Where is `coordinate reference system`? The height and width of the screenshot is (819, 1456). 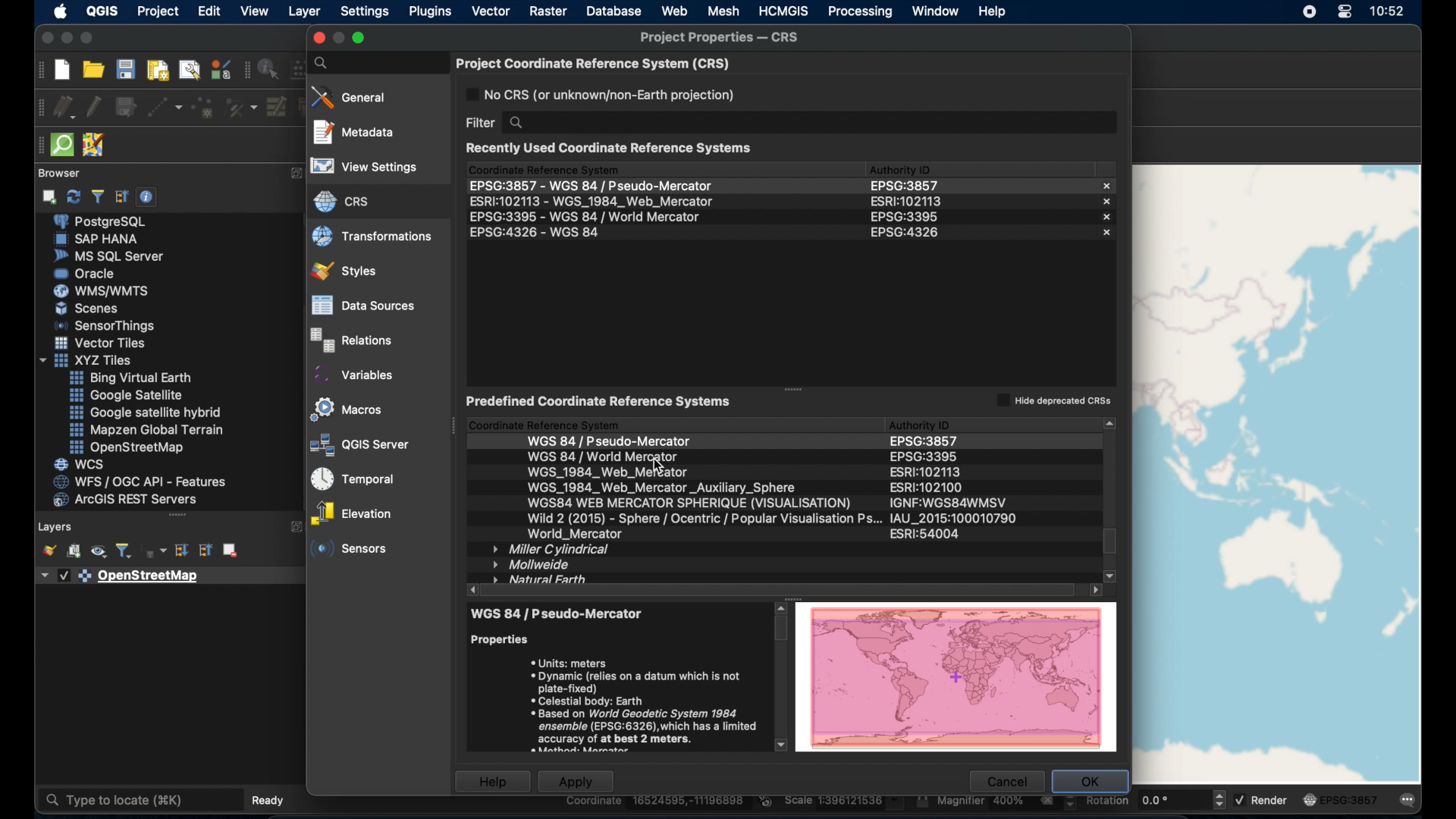
coordinate reference system is located at coordinates (545, 422).